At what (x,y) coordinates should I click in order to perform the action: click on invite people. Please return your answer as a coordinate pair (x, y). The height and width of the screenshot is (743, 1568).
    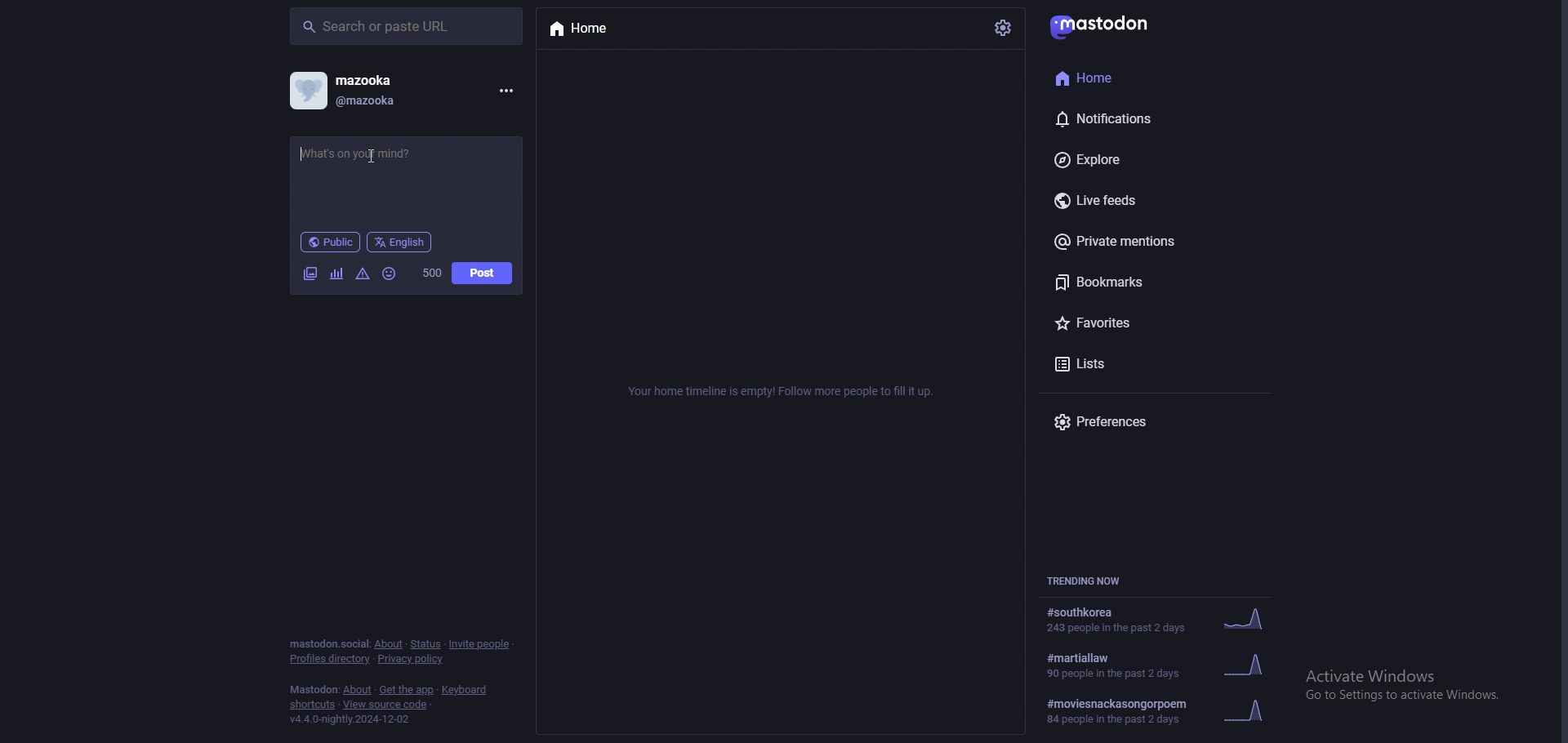
    Looking at the image, I should click on (480, 644).